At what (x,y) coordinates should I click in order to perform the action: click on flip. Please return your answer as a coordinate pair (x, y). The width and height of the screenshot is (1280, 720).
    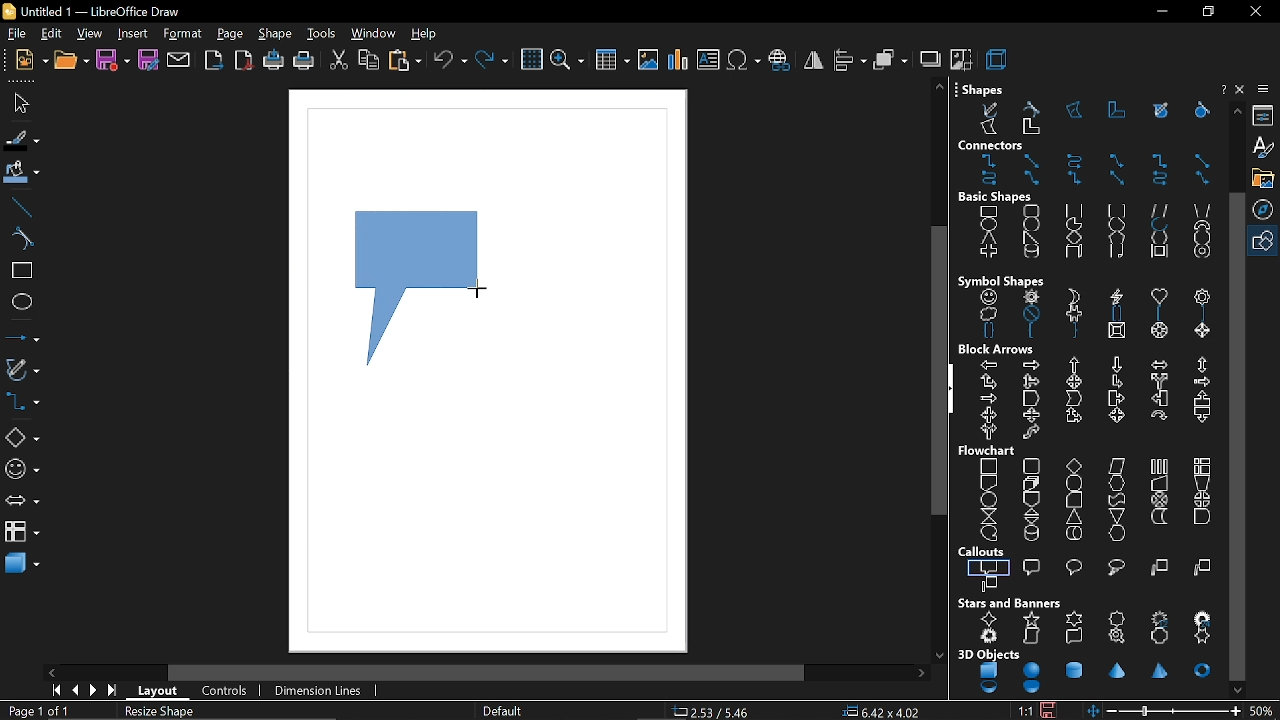
    Looking at the image, I should click on (814, 61).